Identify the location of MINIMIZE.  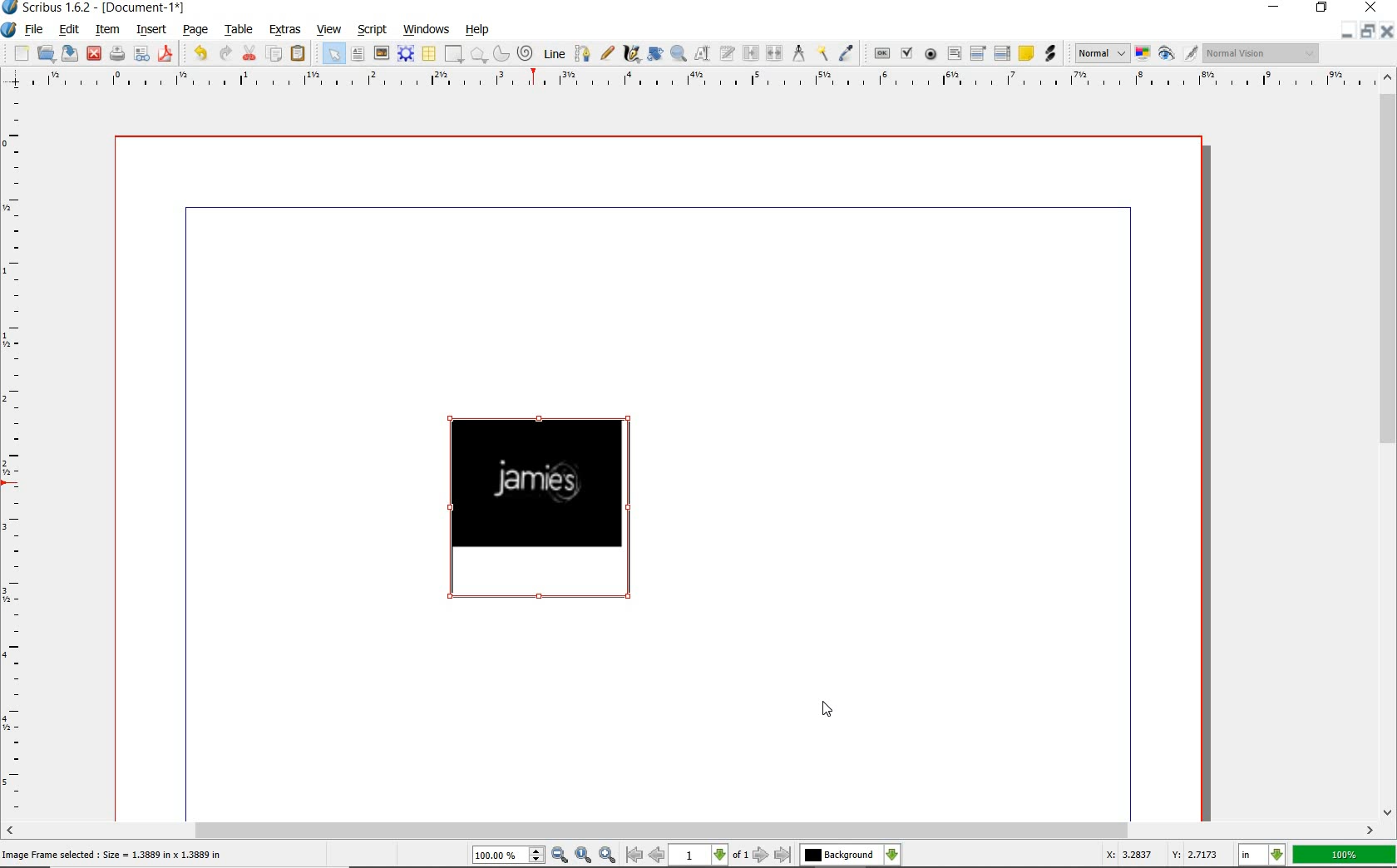
(1273, 7).